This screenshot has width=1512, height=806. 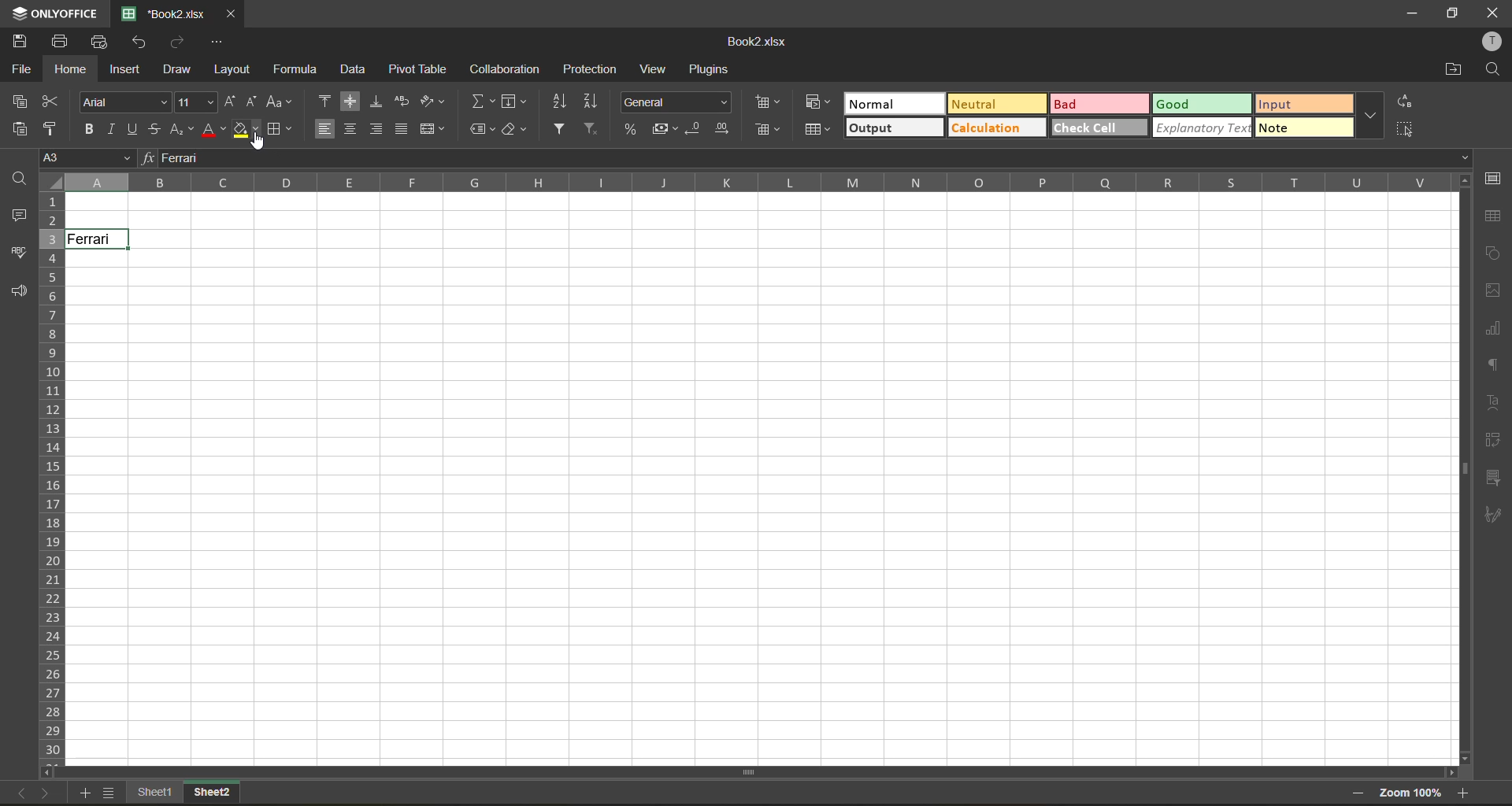 I want to click on align left, so click(x=325, y=128).